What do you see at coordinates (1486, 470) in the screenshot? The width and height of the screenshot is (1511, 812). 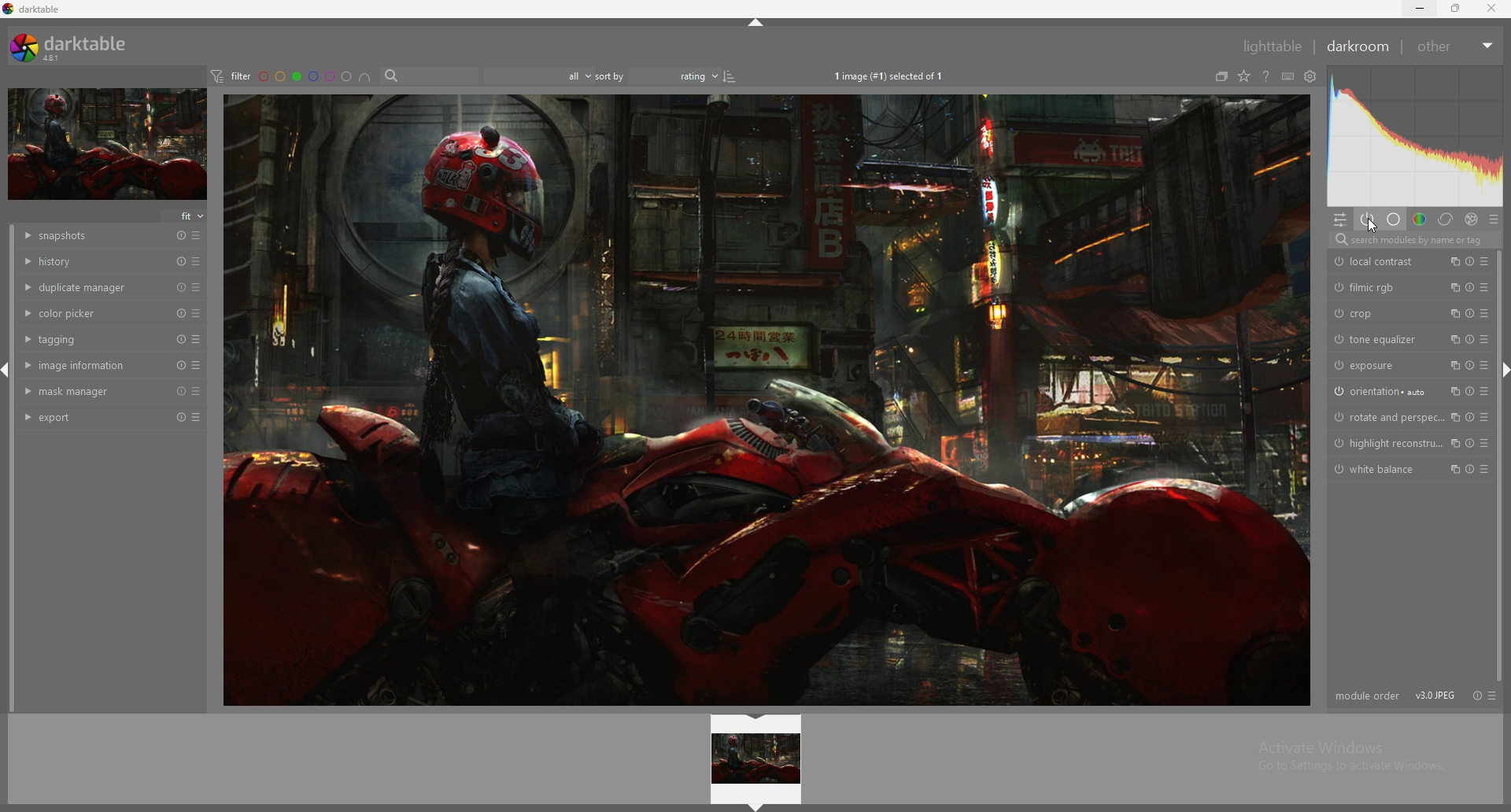 I see `preset` at bounding box center [1486, 470].